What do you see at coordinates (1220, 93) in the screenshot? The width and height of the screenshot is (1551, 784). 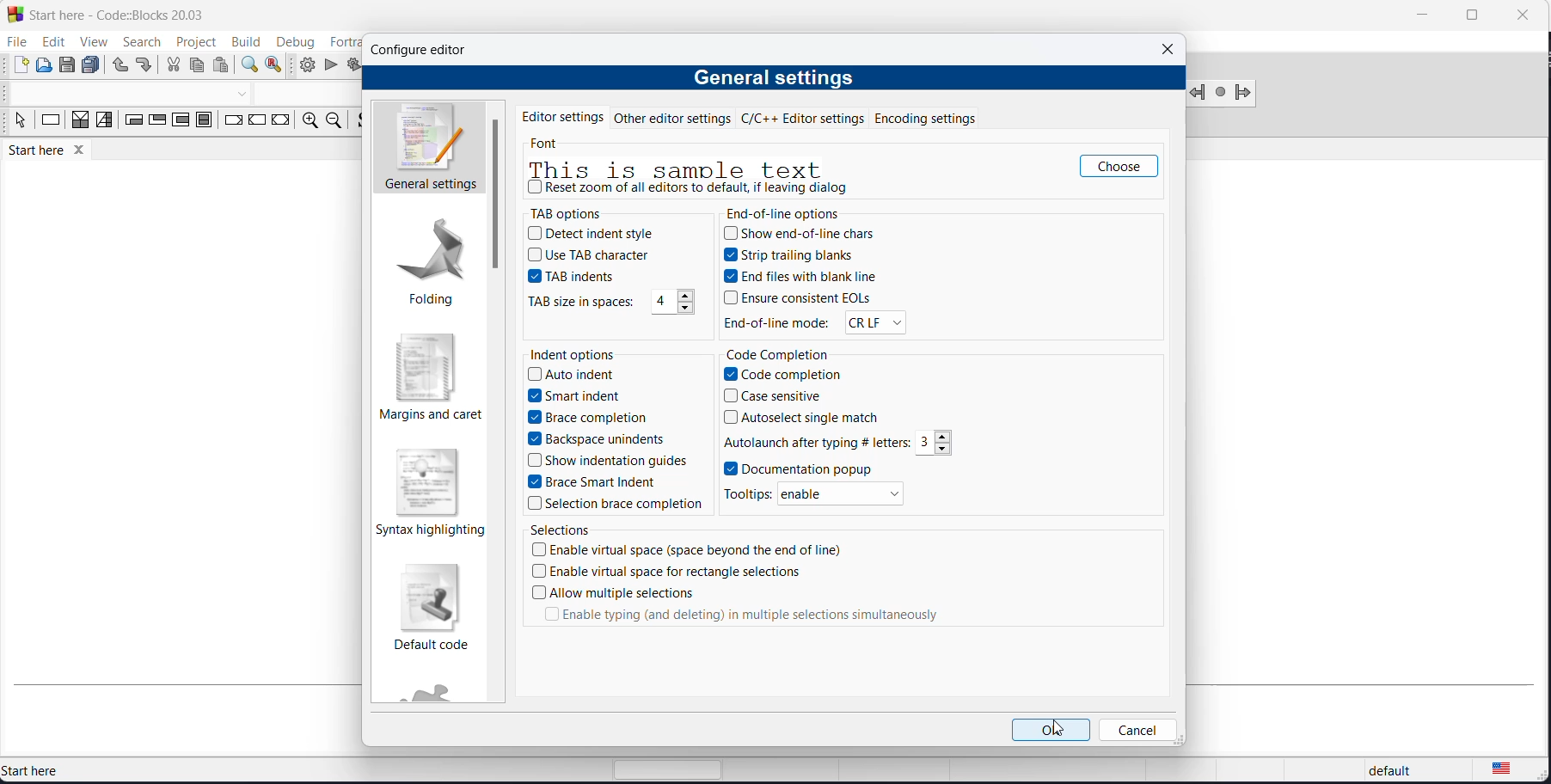 I see `jump next` at bounding box center [1220, 93].